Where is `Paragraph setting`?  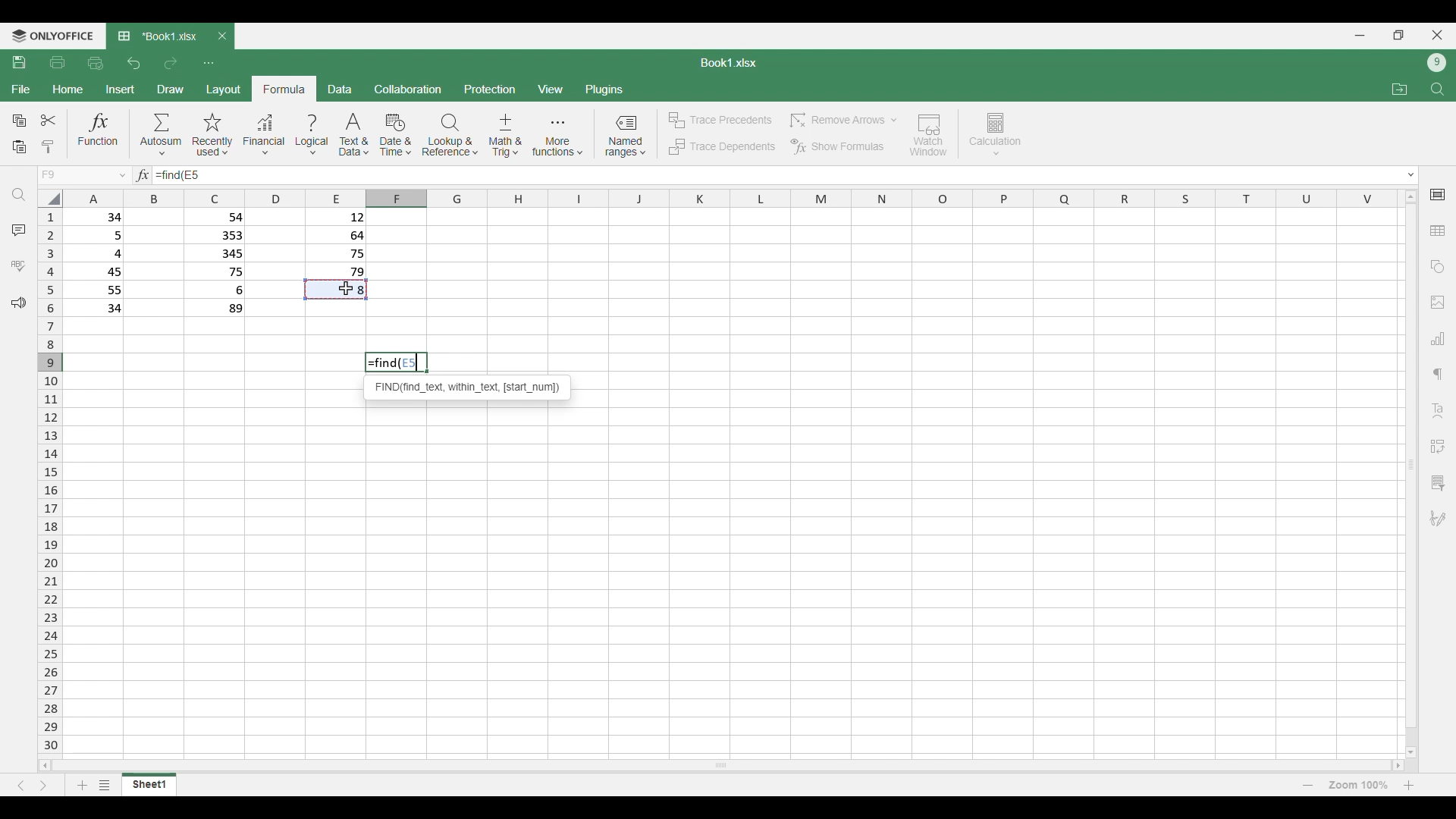
Paragraph setting is located at coordinates (1439, 375).